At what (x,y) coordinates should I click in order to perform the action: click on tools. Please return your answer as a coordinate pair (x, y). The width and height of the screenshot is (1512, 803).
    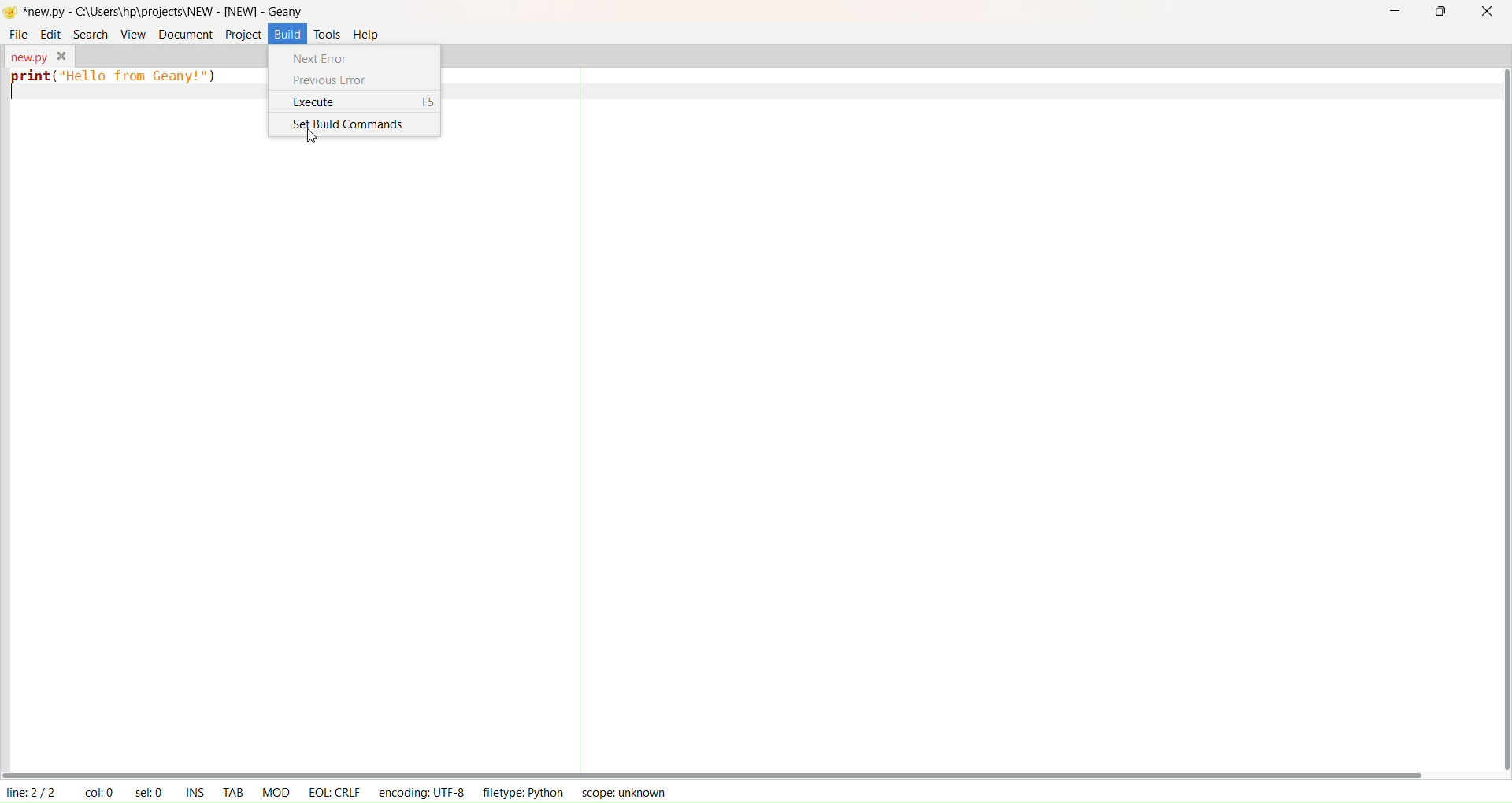
    Looking at the image, I should click on (328, 35).